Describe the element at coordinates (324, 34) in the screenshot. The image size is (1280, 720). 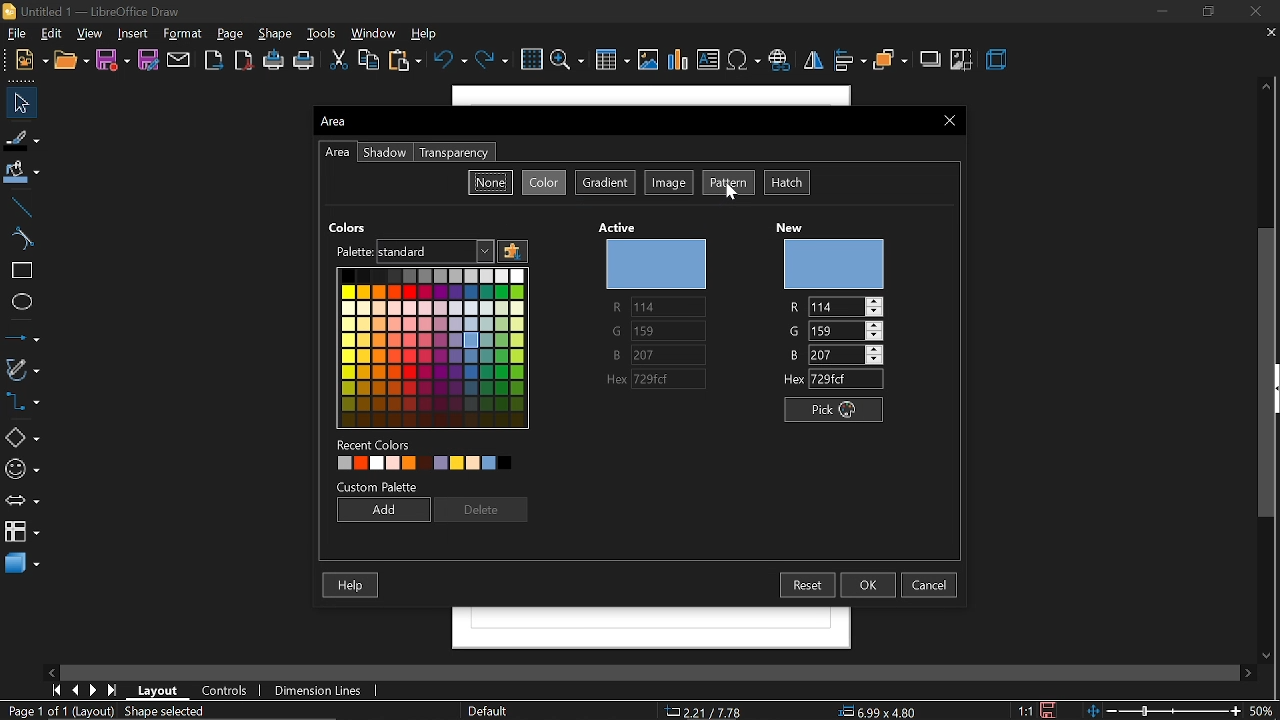
I see `tools` at that location.